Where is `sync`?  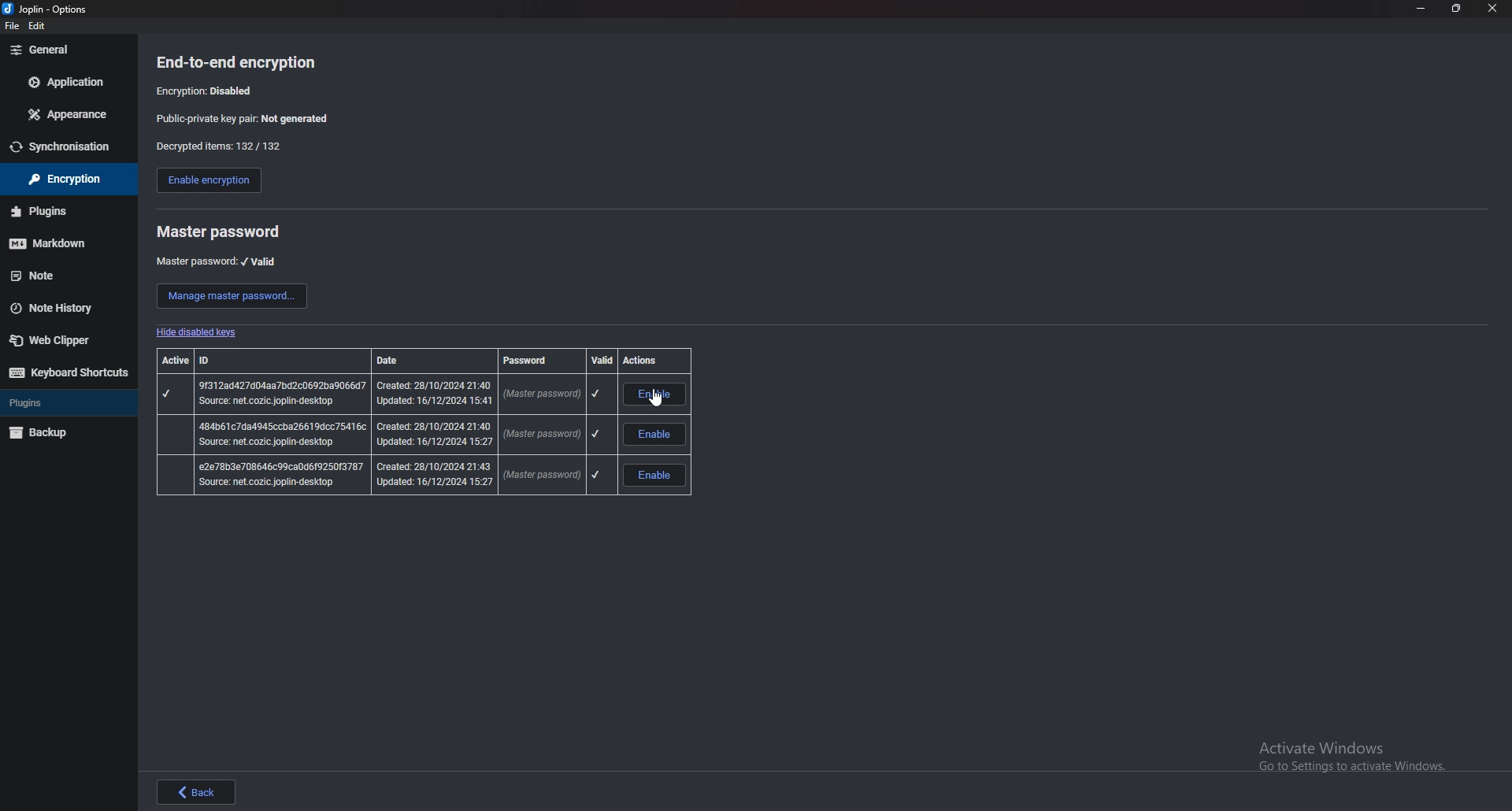
sync is located at coordinates (66, 147).